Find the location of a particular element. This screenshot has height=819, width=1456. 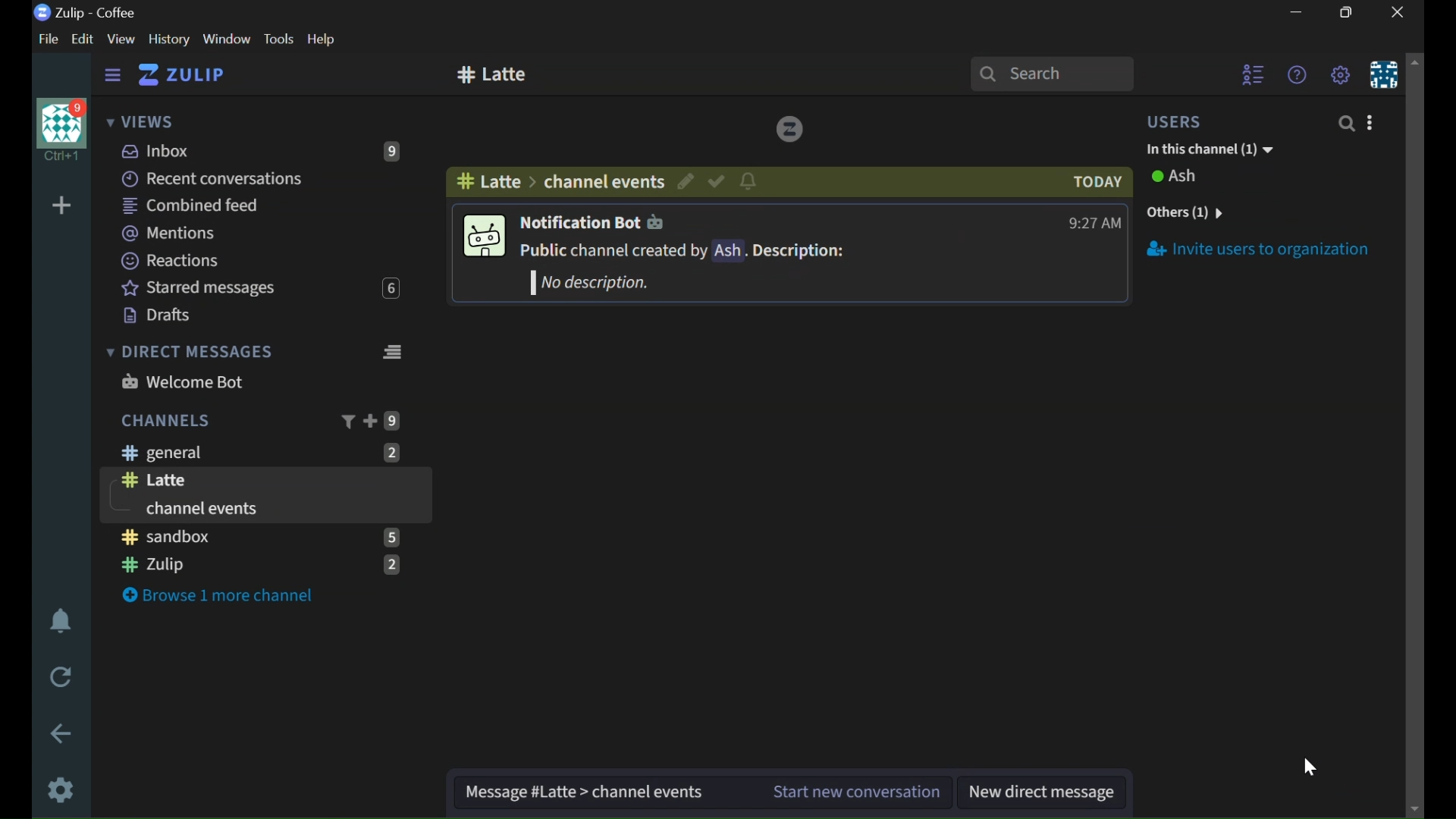

RESTORE DOWN is located at coordinates (1350, 12).